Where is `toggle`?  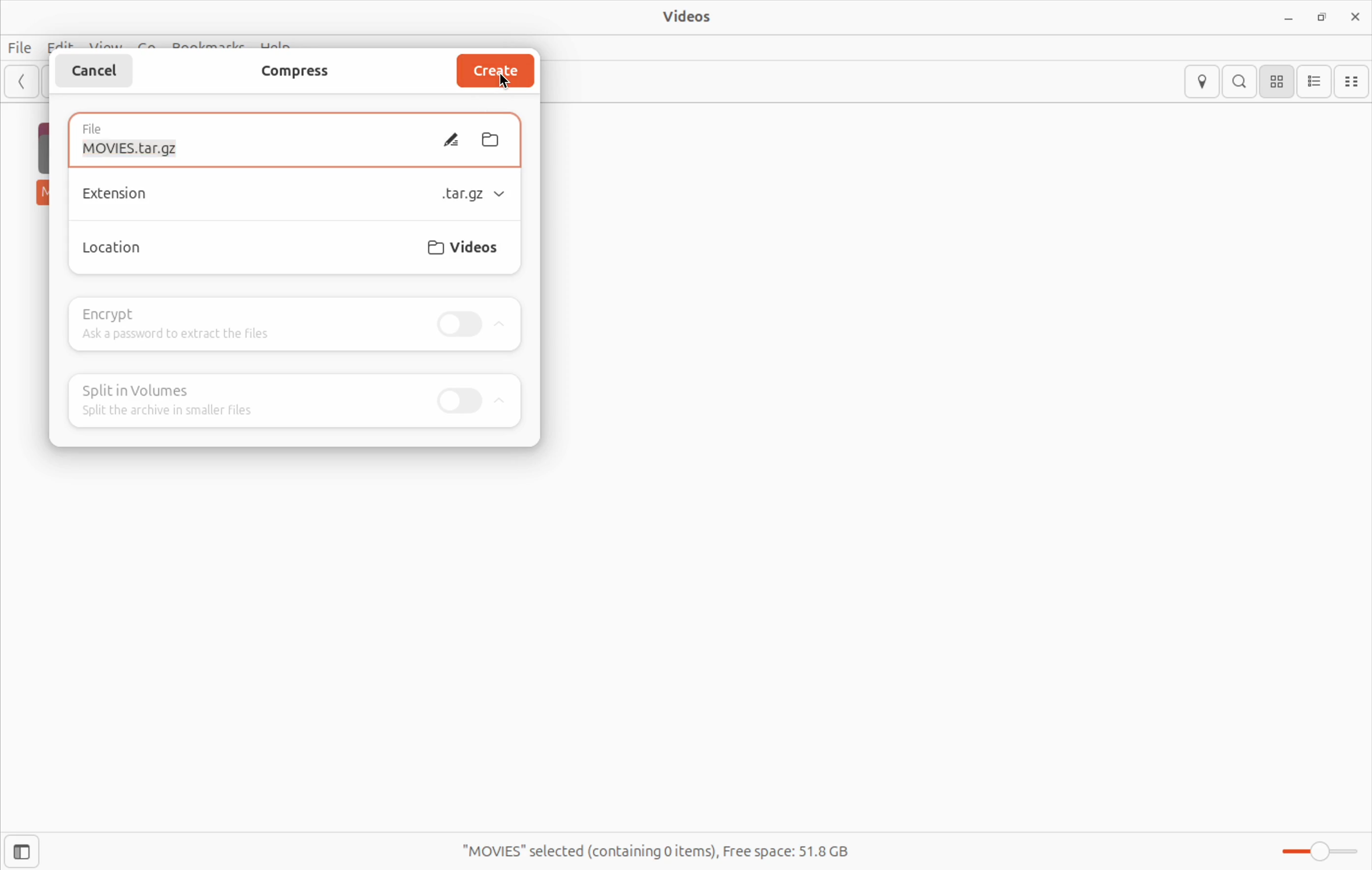
toggle is located at coordinates (468, 398).